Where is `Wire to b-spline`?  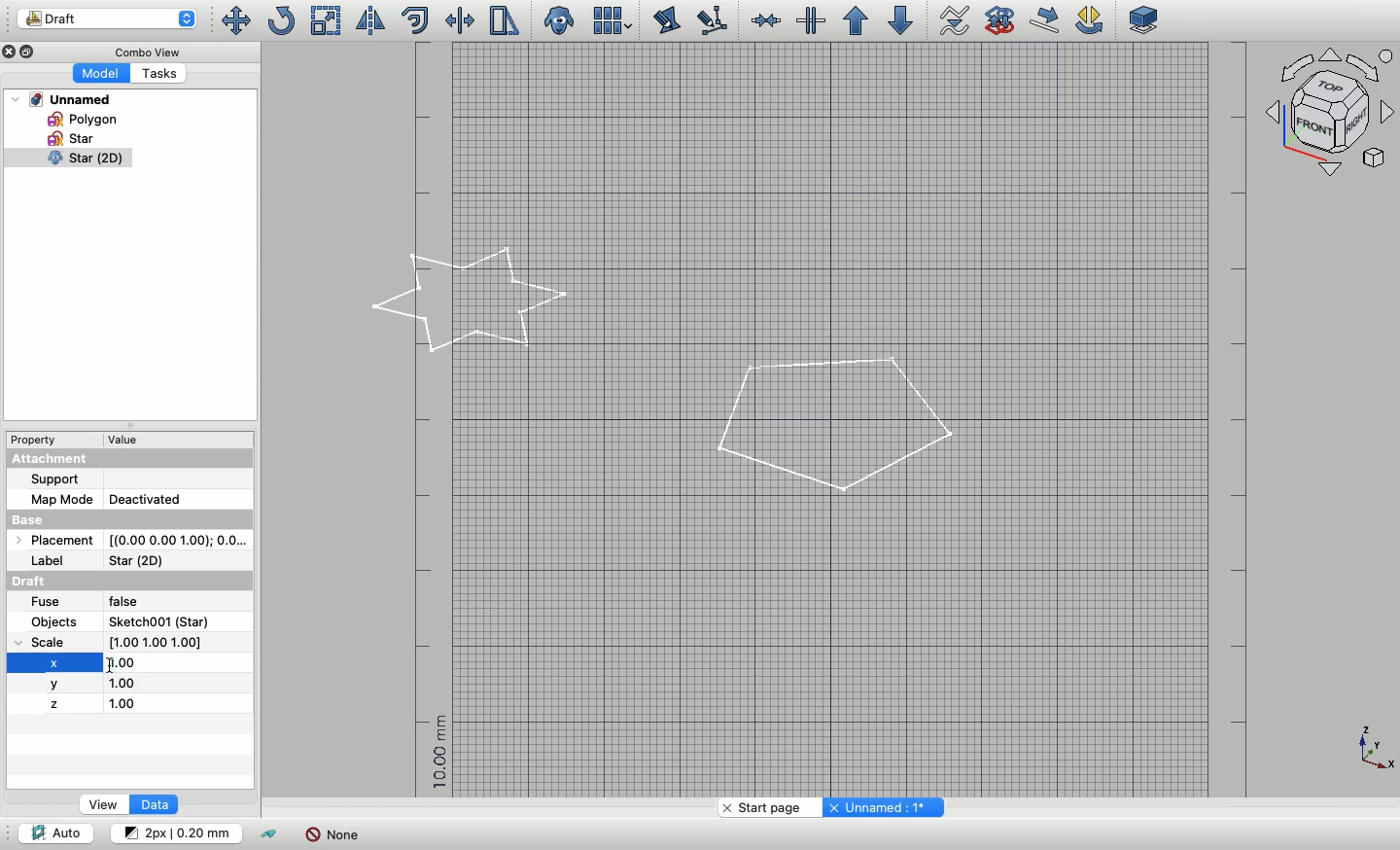 Wire to b-spline is located at coordinates (949, 21).